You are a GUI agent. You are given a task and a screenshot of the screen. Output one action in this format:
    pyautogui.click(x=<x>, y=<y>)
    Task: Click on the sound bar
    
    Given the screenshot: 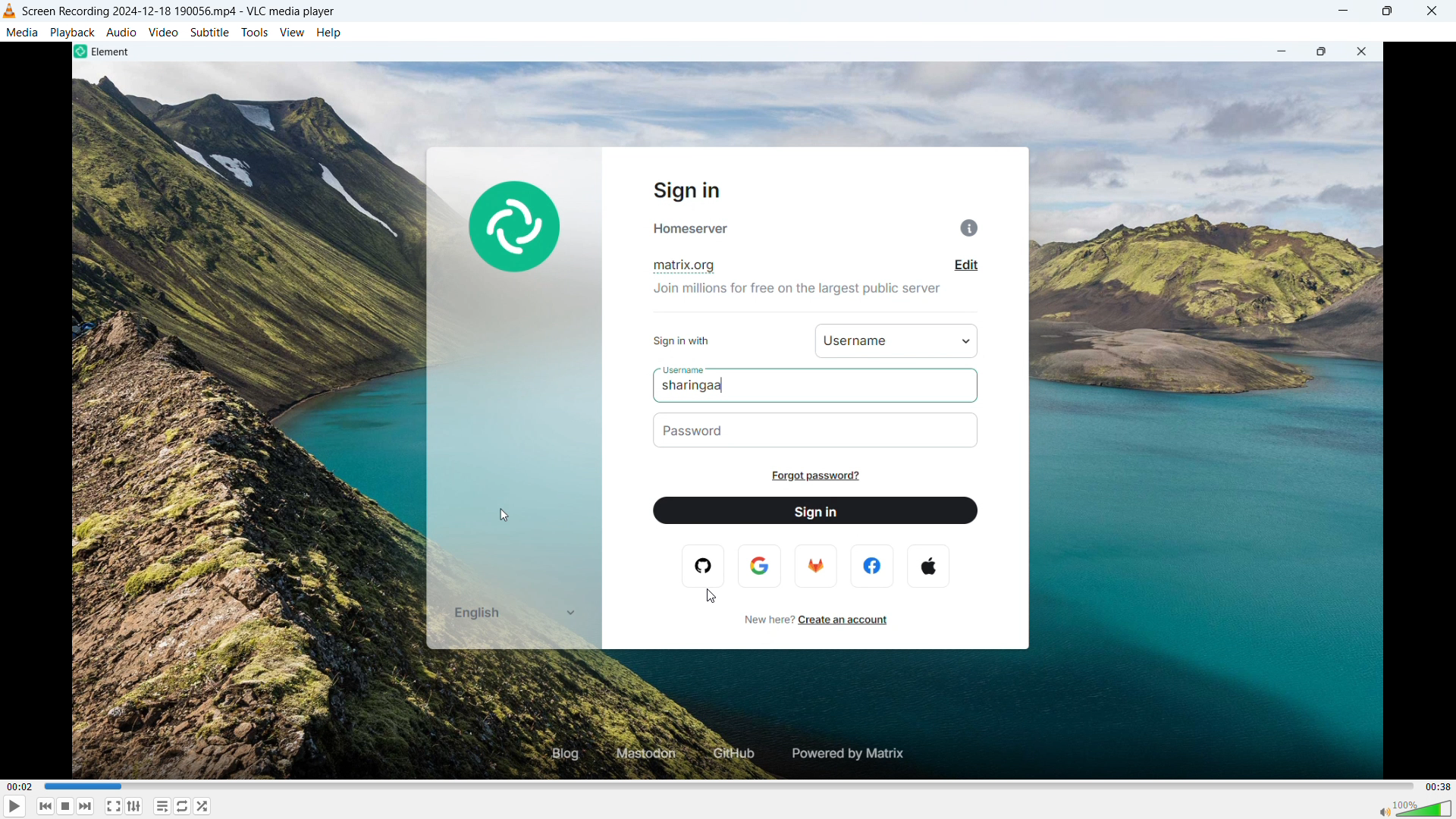 What is the action you would take?
    pyautogui.click(x=1414, y=808)
    